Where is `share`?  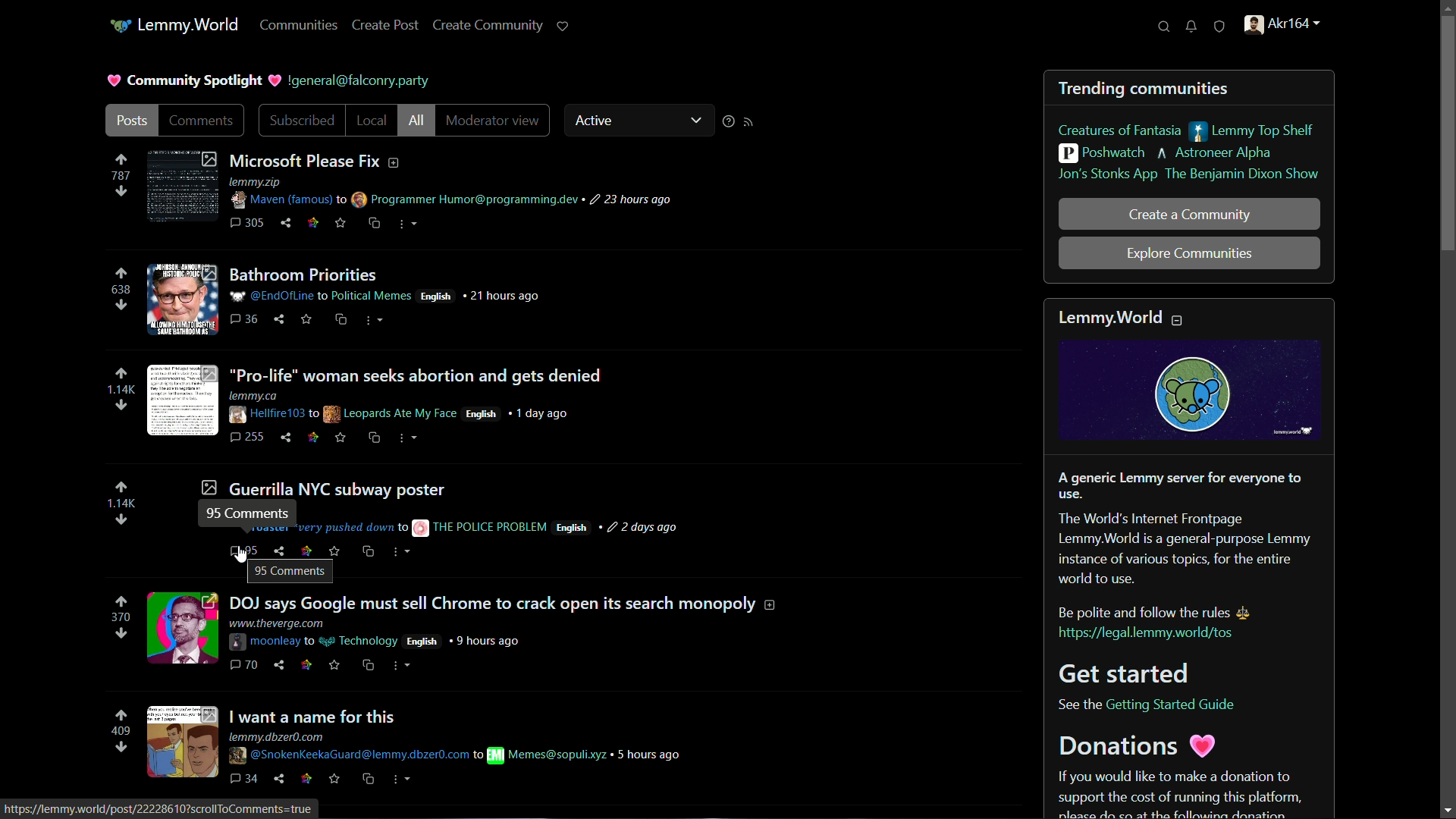 share is located at coordinates (280, 320).